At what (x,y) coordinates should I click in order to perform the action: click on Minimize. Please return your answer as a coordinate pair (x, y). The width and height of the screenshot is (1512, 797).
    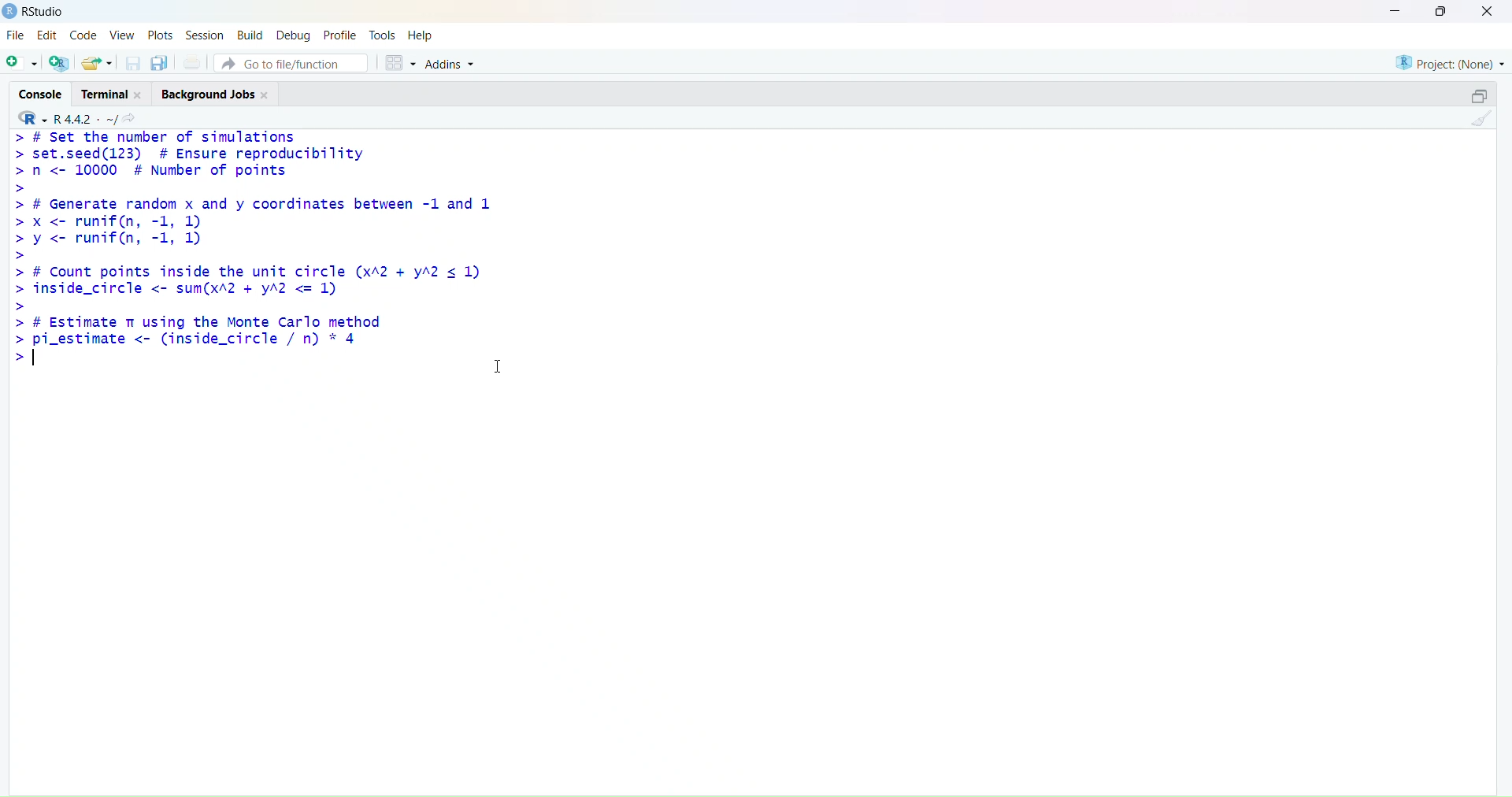
    Looking at the image, I should click on (1395, 11).